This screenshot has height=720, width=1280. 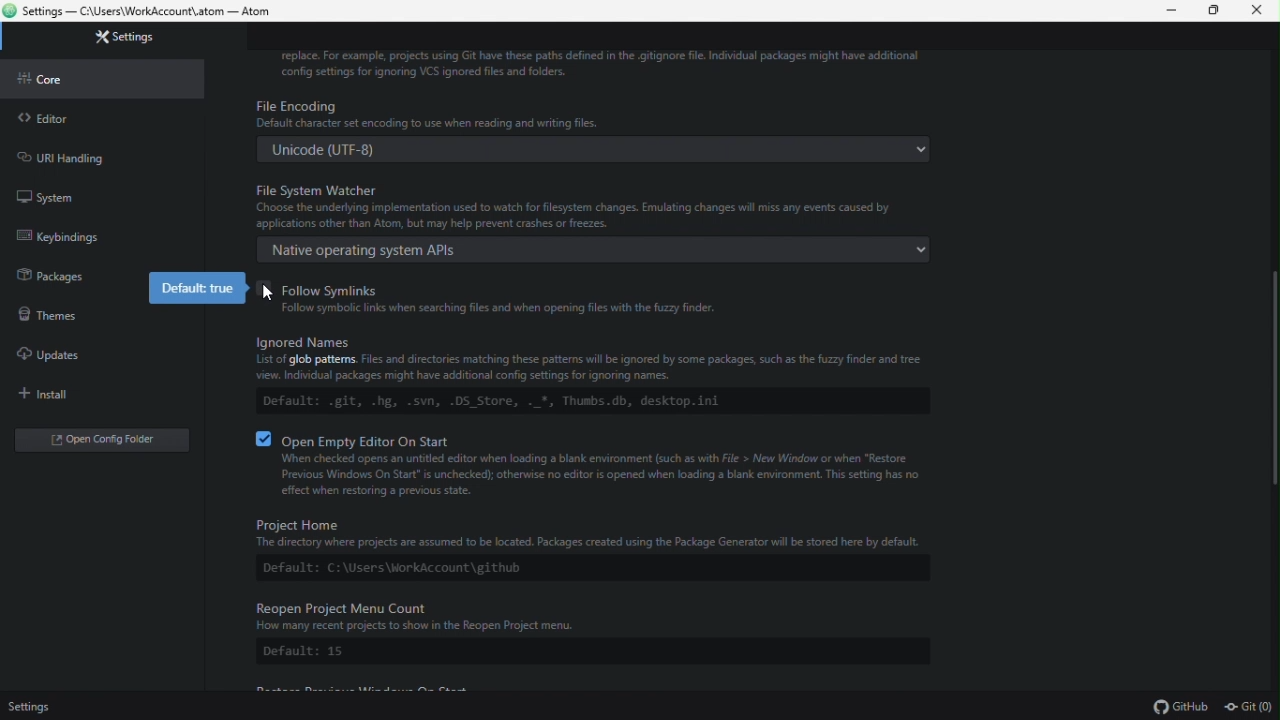 I want to click on Editor, so click(x=101, y=118).